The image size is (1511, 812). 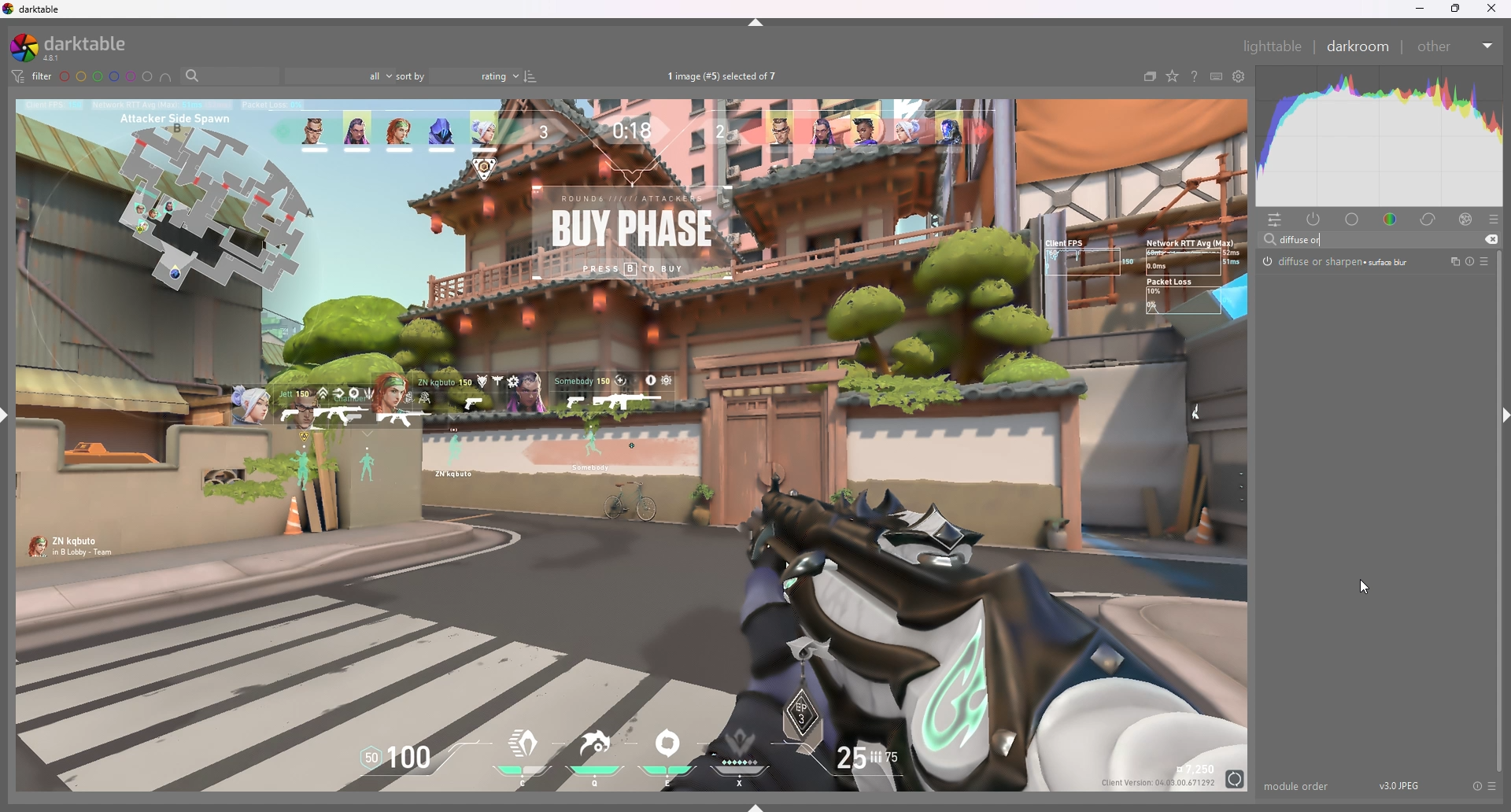 What do you see at coordinates (1314, 219) in the screenshot?
I see `show active modules` at bounding box center [1314, 219].